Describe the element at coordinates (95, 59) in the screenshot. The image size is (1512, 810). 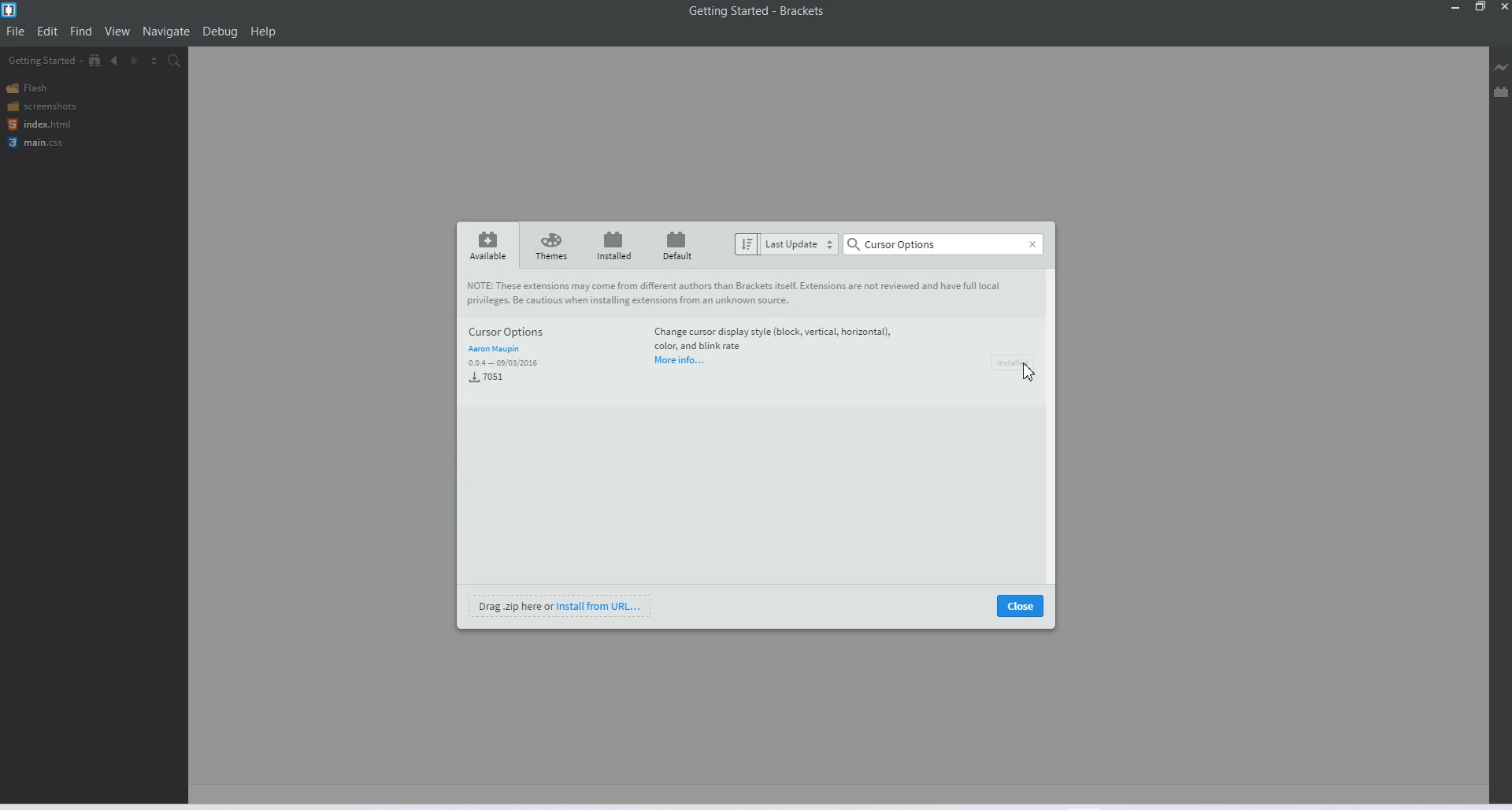
I see `Show file in Tree` at that location.